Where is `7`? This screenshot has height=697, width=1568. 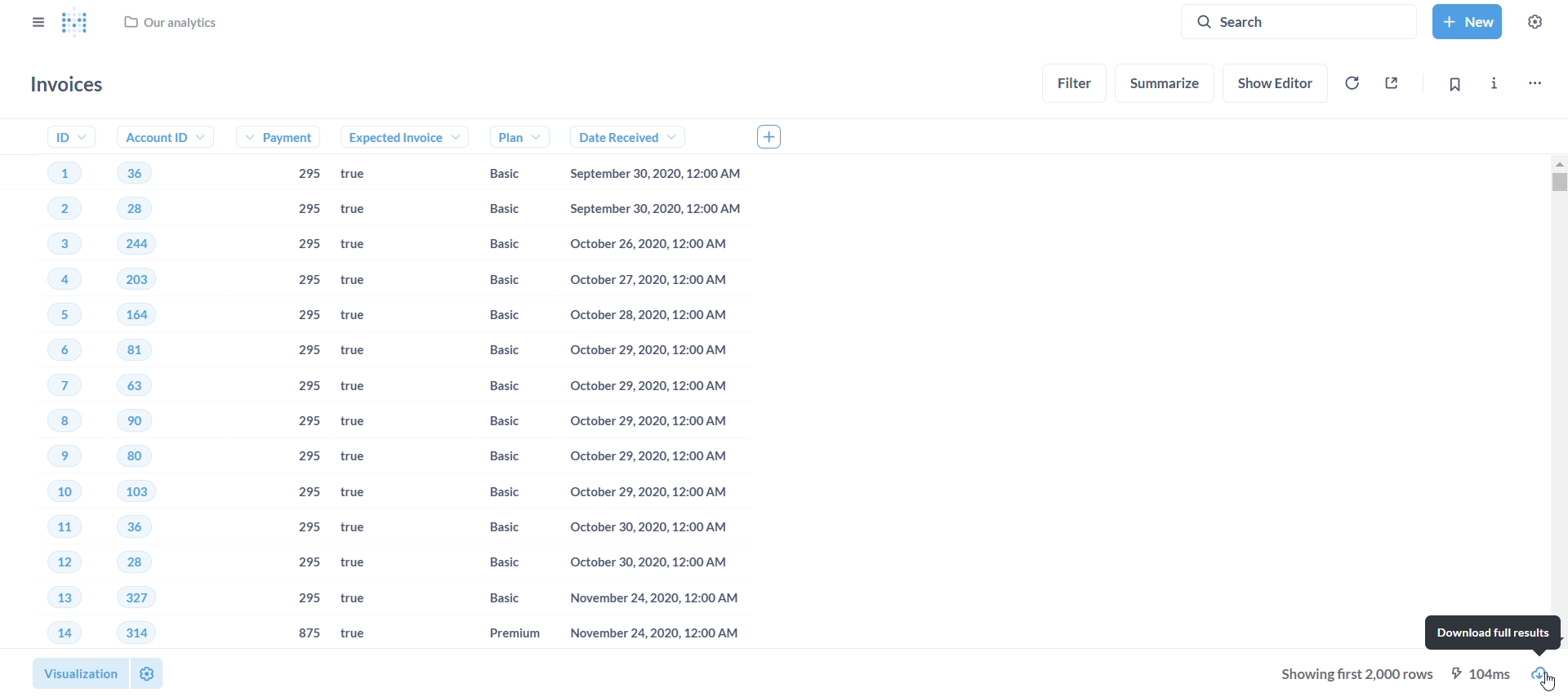 7 is located at coordinates (47, 386).